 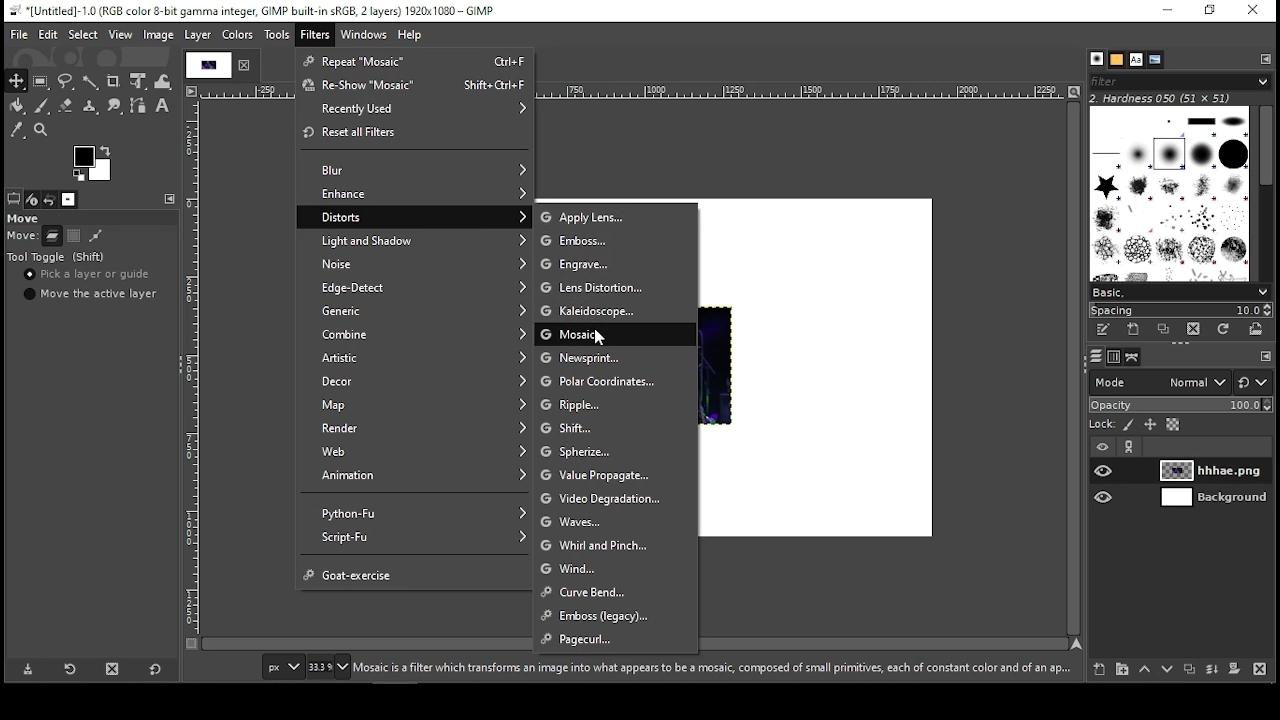 What do you see at coordinates (1190, 672) in the screenshot?
I see `duplicate layer` at bounding box center [1190, 672].